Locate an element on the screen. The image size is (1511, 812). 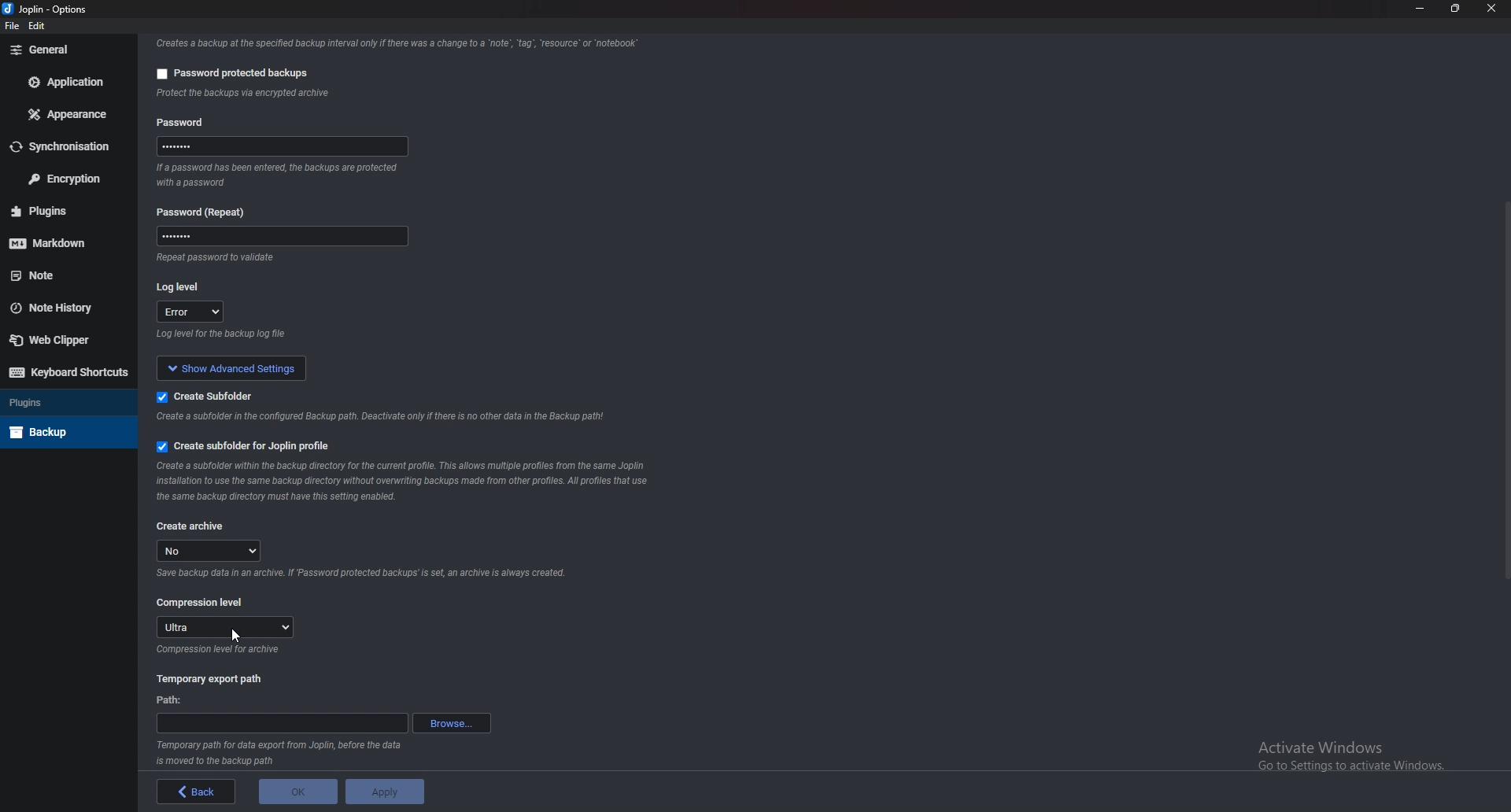
log level is located at coordinates (184, 286).